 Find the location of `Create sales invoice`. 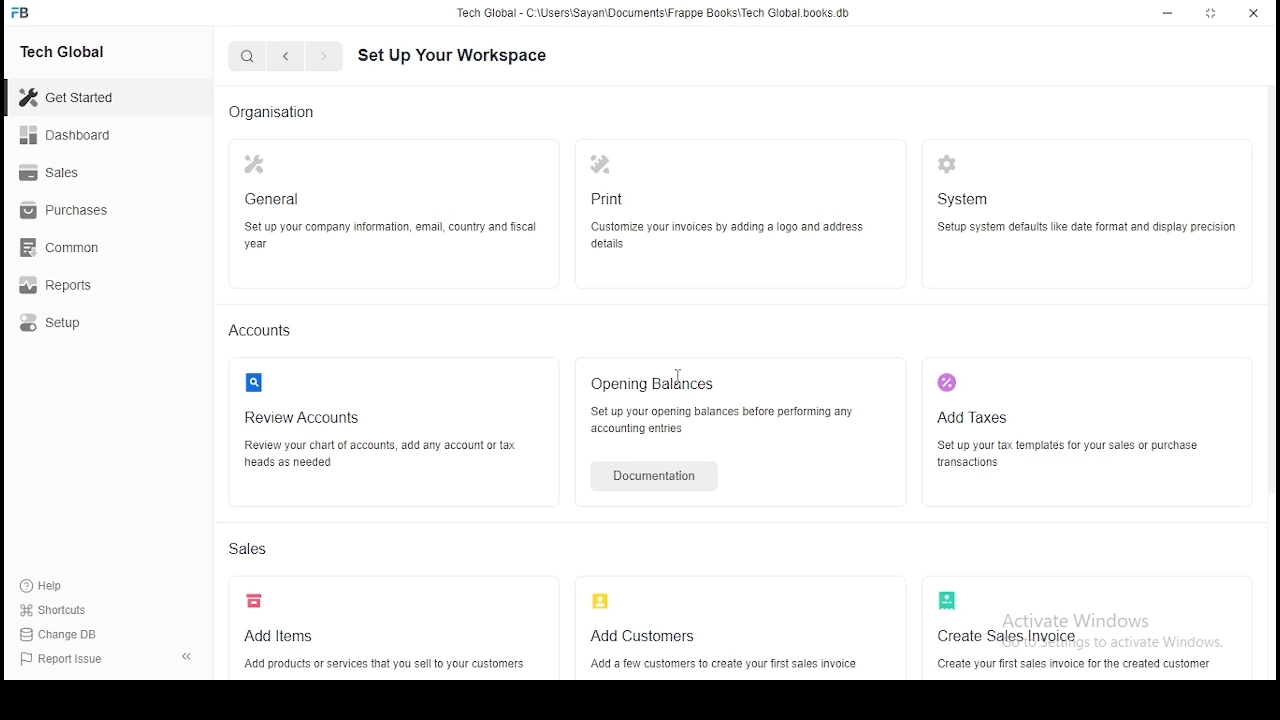

Create sales invoice is located at coordinates (1081, 627).